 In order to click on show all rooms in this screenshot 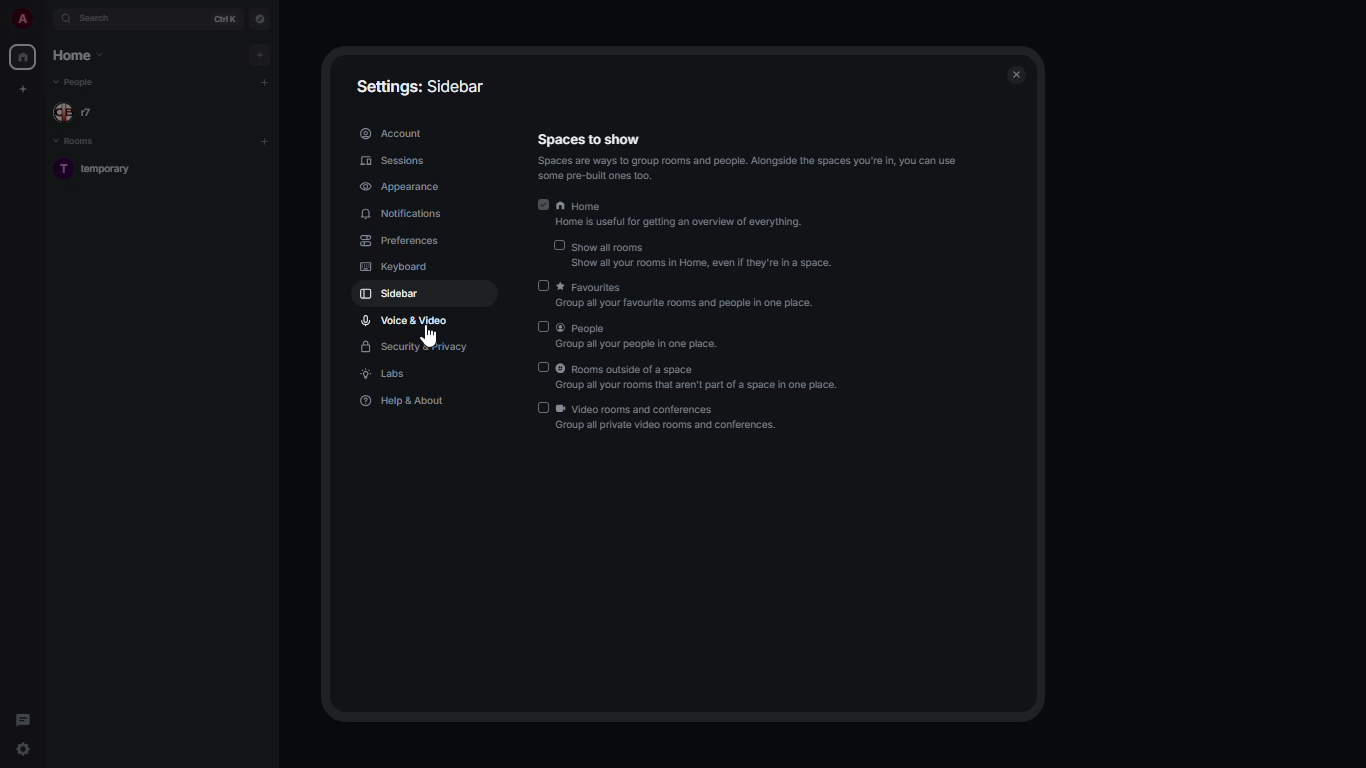, I will do `click(701, 256)`.